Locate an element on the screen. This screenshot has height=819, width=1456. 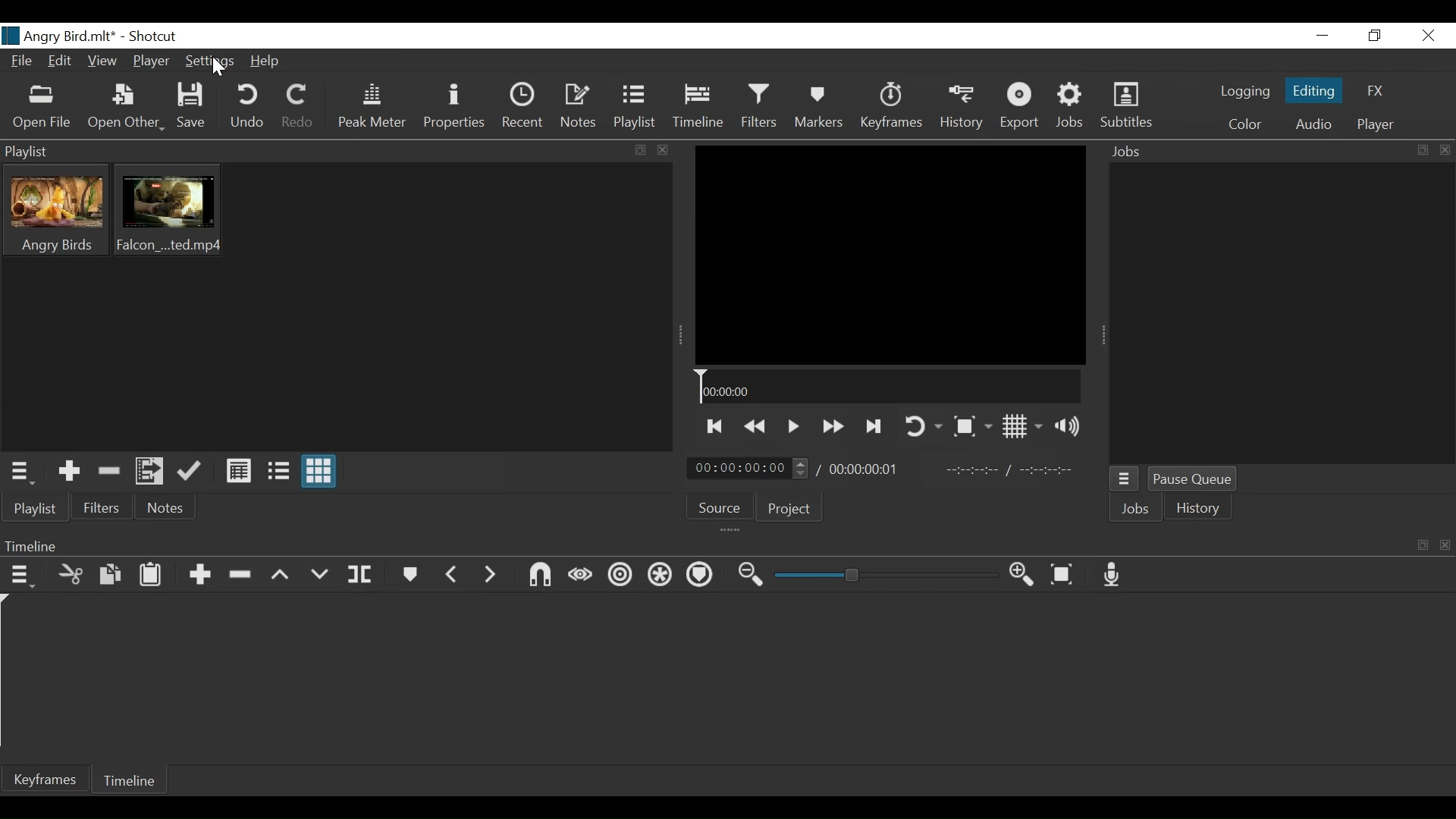
Remove cut is located at coordinates (106, 469).